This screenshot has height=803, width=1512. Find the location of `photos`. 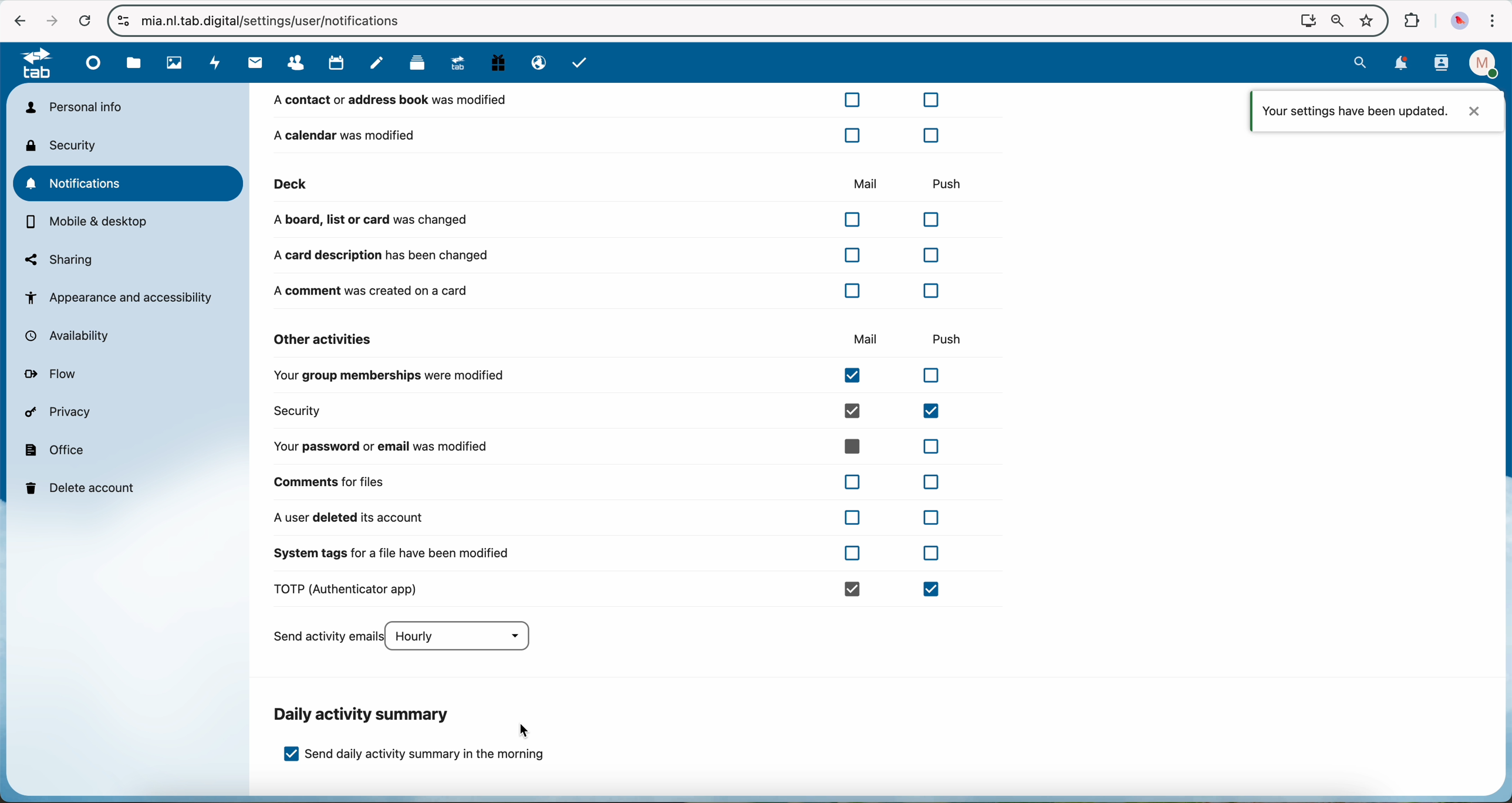

photos is located at coordinates (173, 63).